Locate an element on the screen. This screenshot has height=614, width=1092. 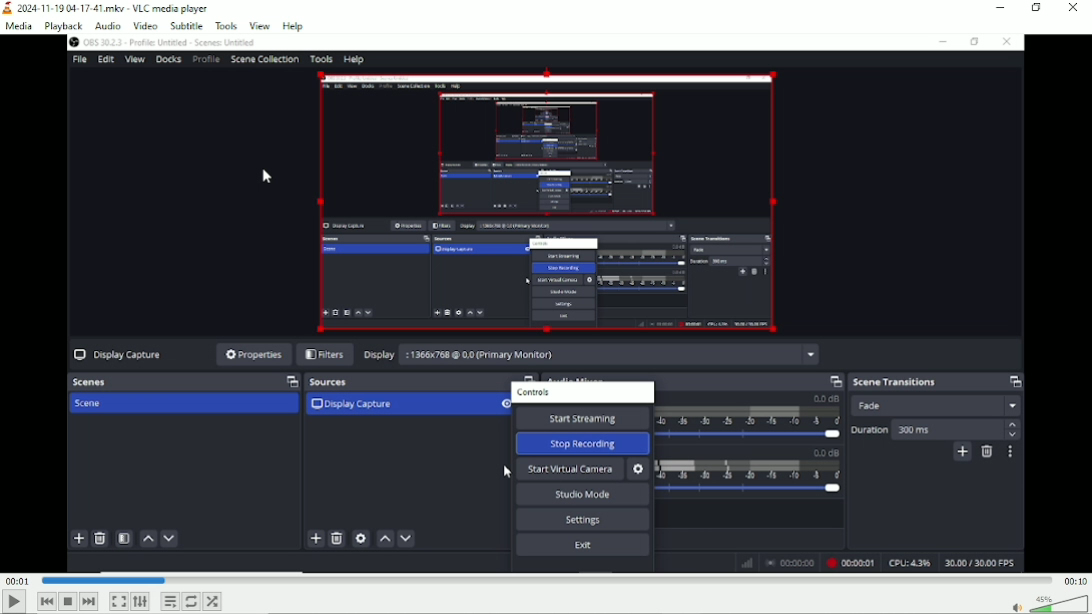
playback is located at coordinates (63, 26).